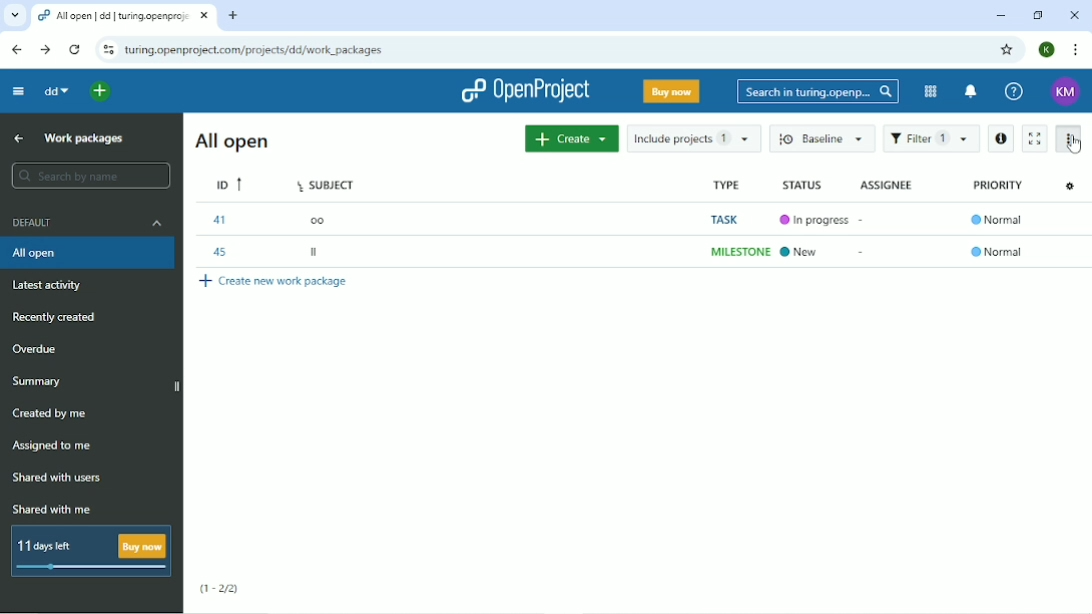  What do you see at coordinates (223, 220) in the screenshot?
I see `41` at bounding box center [223, 220].